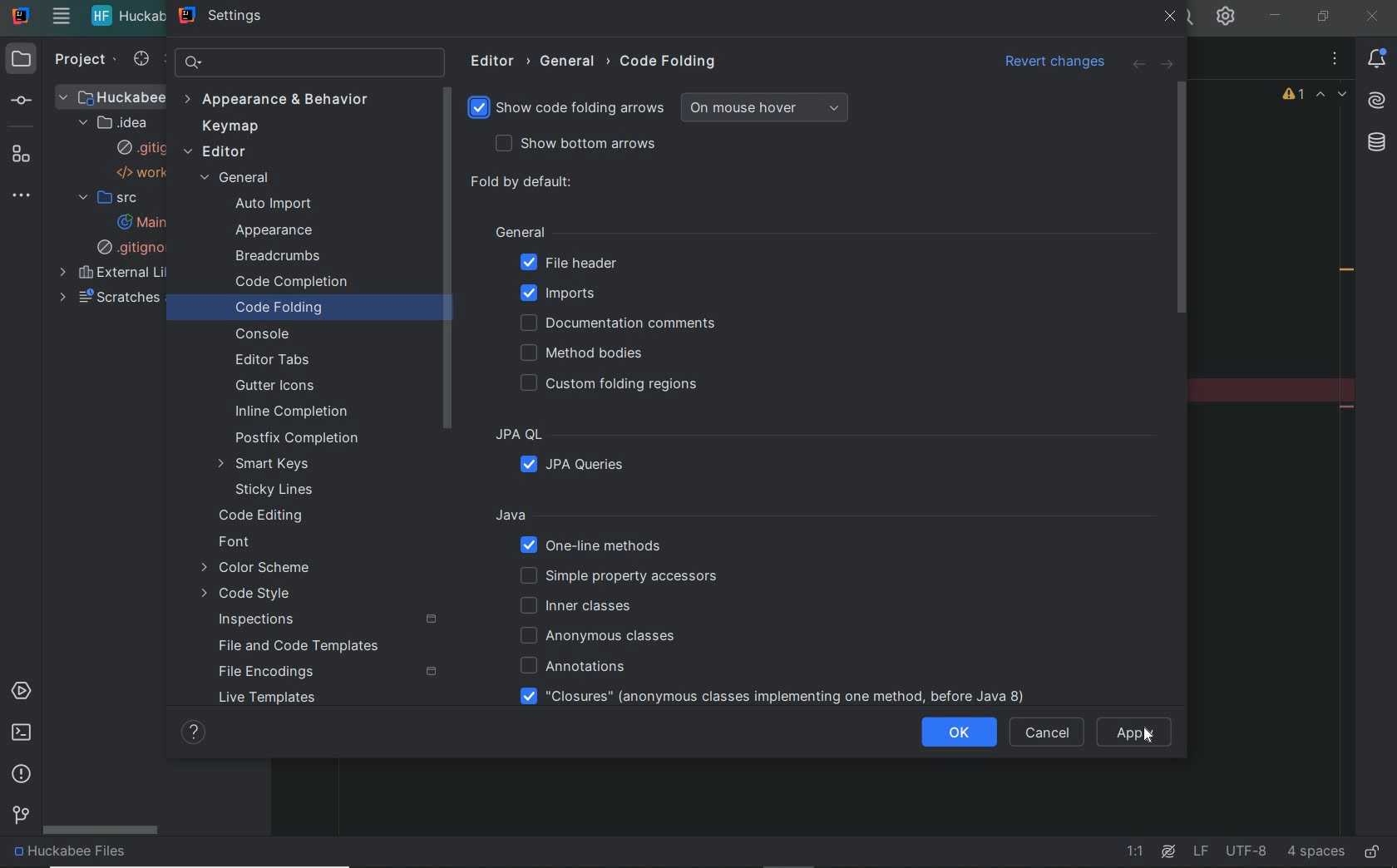 The image size is (1397, 868). I want to click on warnings, so click(1292, 96).